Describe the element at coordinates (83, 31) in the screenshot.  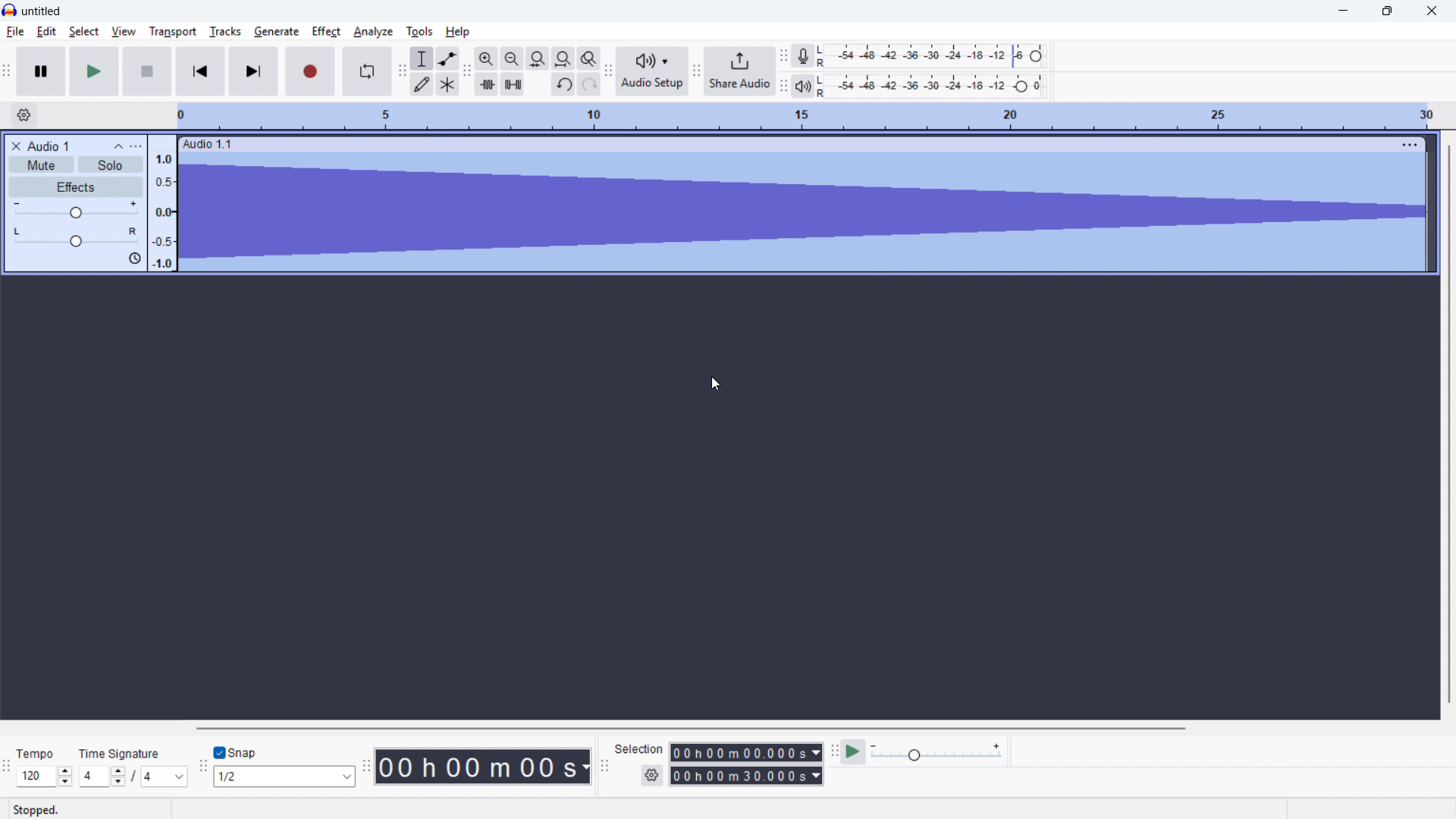
I see `select ` at that location.